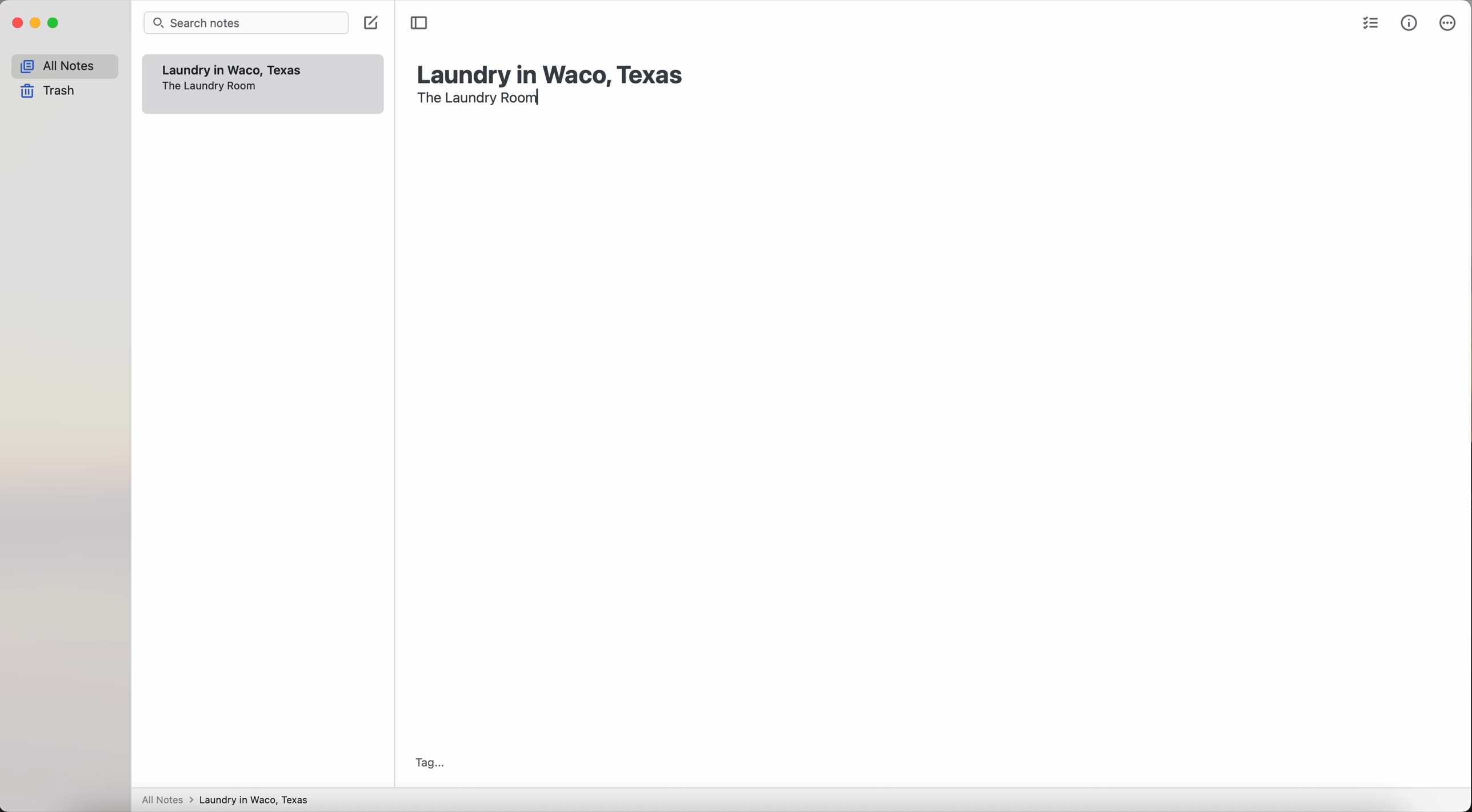  Describe the element at coordinates (51, 92) in the screenshot. I see `trash` at that location.